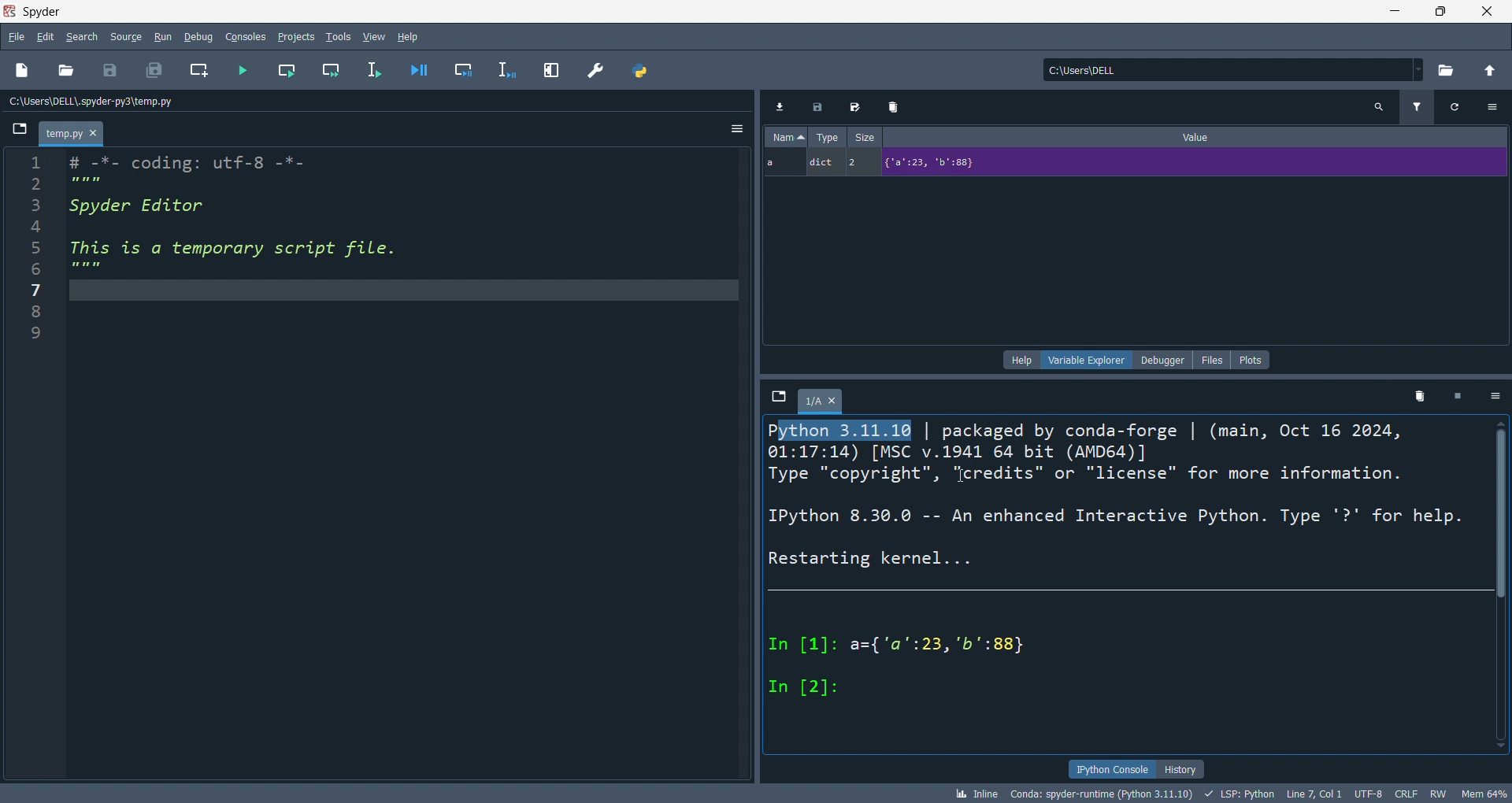 The height and width of the screenshot is (803, 1512). What do you see at coordinates (848, 431) in the screenshot?
I see `selected text: ython 3.11.10` at bounding box center [848, 431].